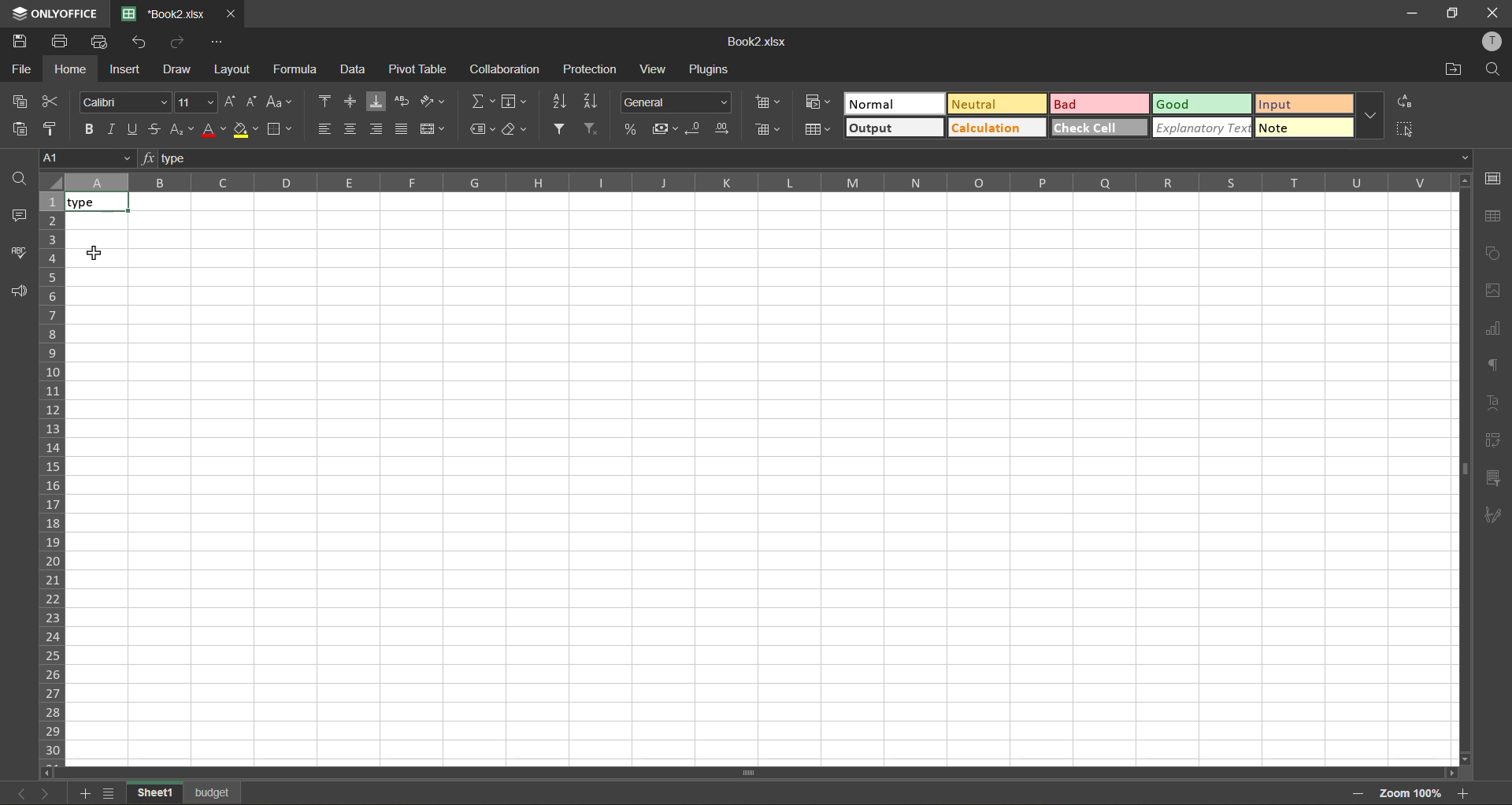  I want to click on table, so click(1497, 217).